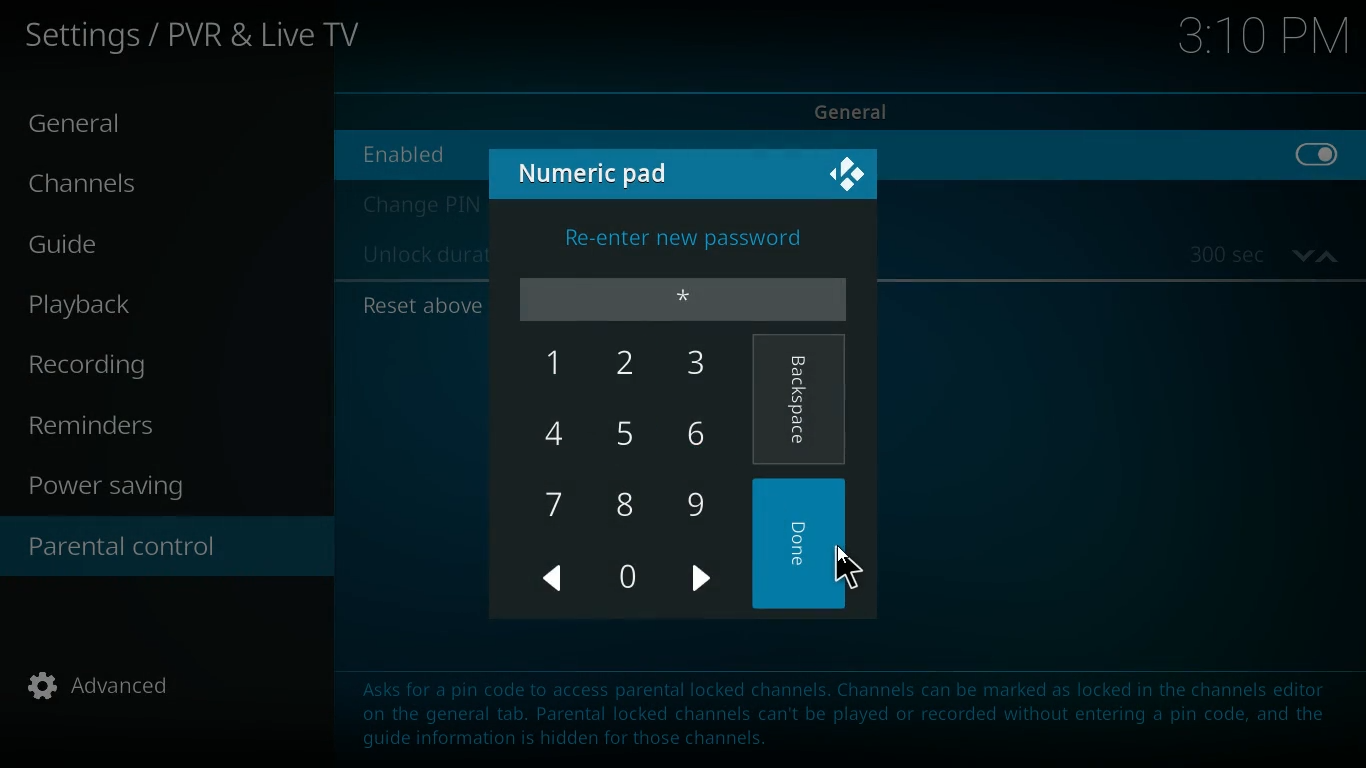 The width and height of the screenshot is (1366, 768). What do you see at coordinates (632, 365) in the screenshot?
I see `2` at bounding box center [632, 365].